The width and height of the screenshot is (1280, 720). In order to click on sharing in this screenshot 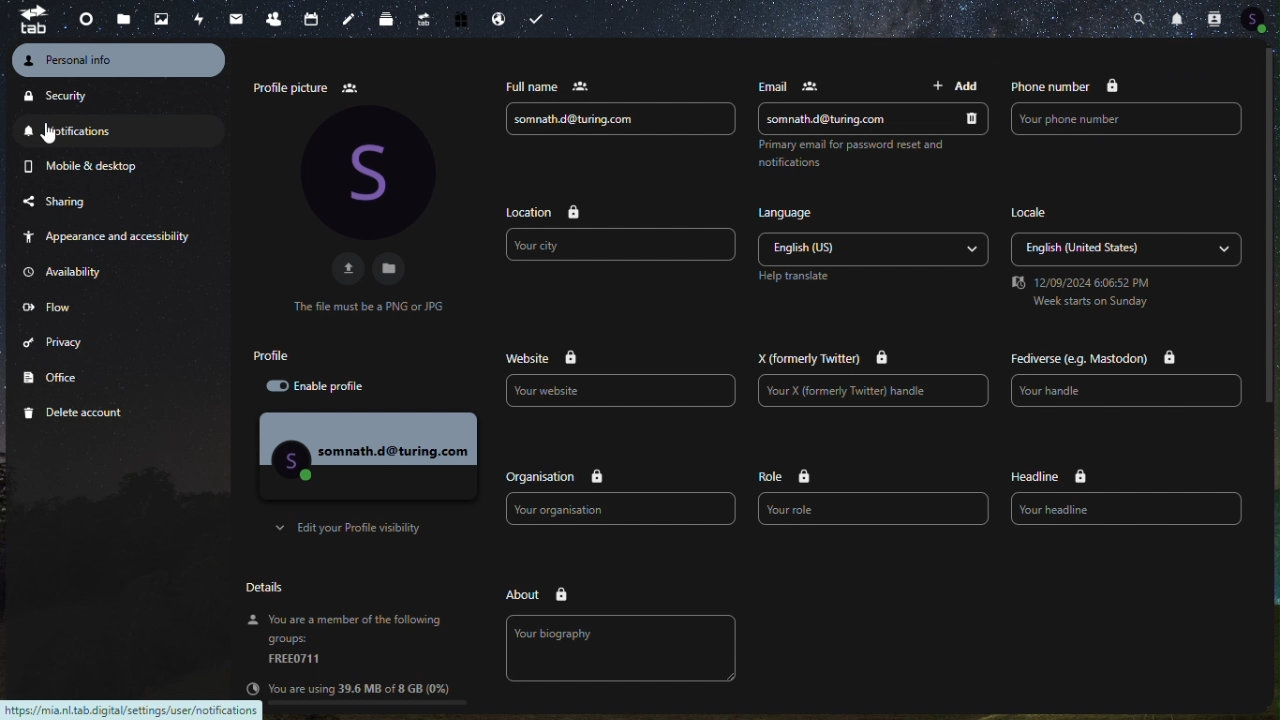, I will do `click(83, 199)`.